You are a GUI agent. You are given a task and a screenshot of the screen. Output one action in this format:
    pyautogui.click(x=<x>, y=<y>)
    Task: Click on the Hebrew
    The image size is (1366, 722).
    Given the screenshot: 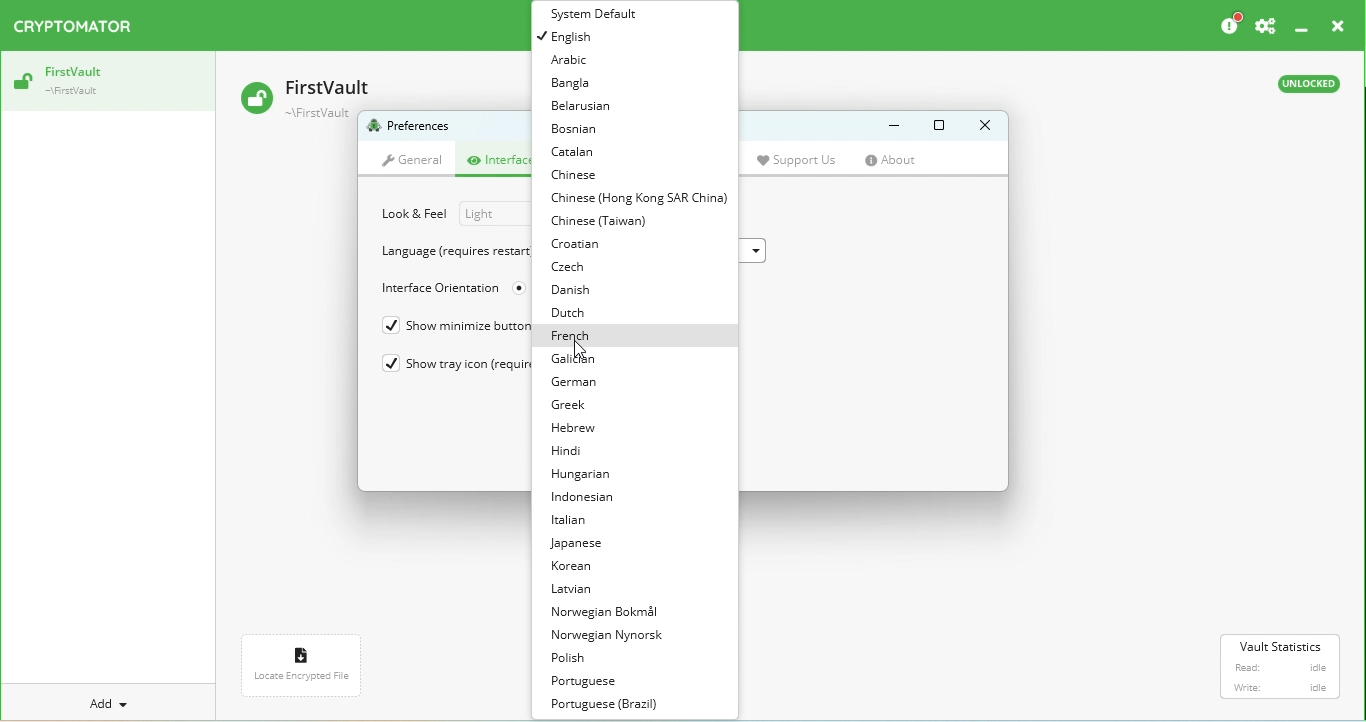 What is the action you would take?
    pyautogui.click(x=574, y=429)
    